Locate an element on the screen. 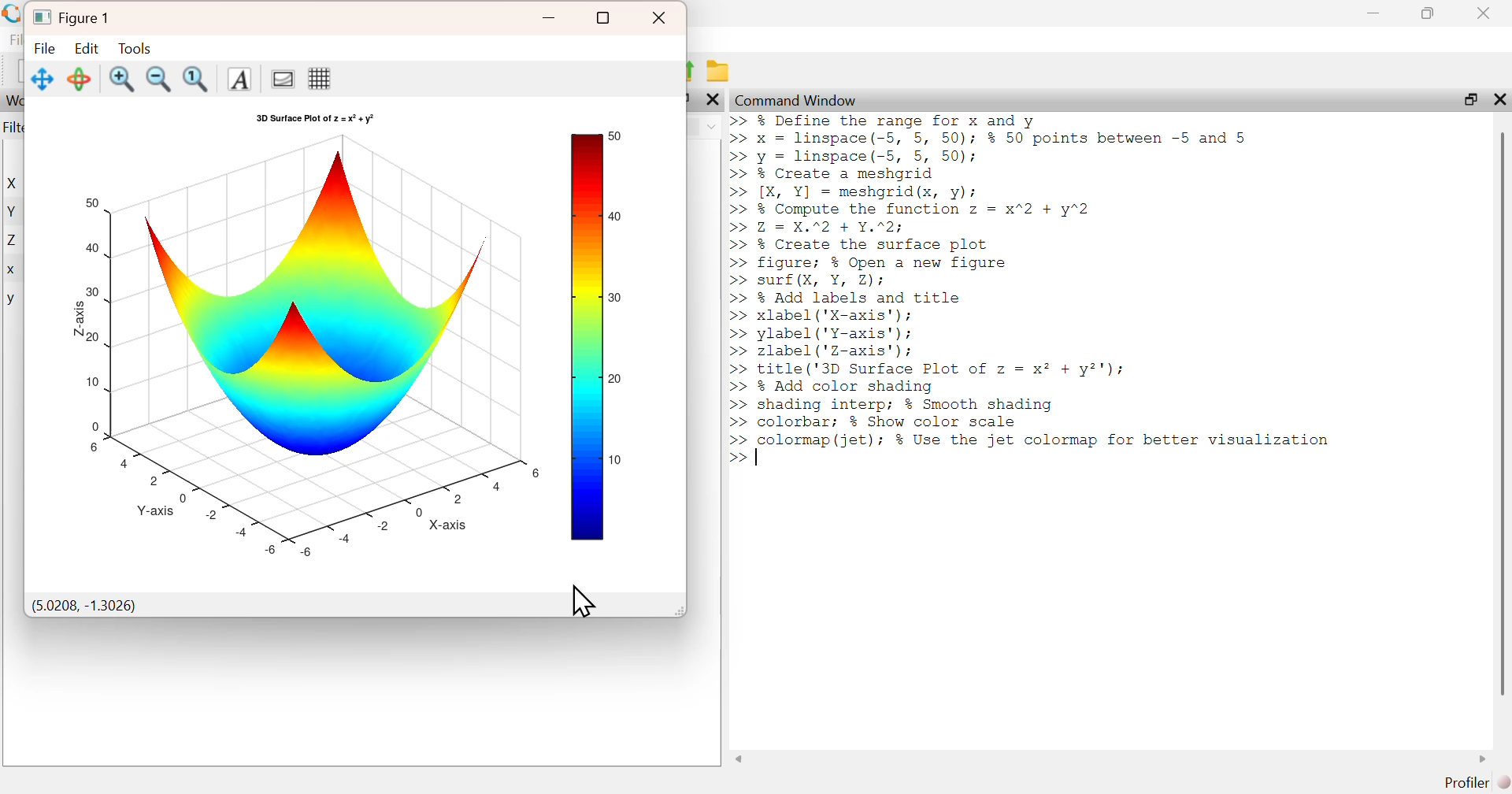 The height and width of the screenshot is (794, 1512). Workspace is located at coordinates (13, 101).